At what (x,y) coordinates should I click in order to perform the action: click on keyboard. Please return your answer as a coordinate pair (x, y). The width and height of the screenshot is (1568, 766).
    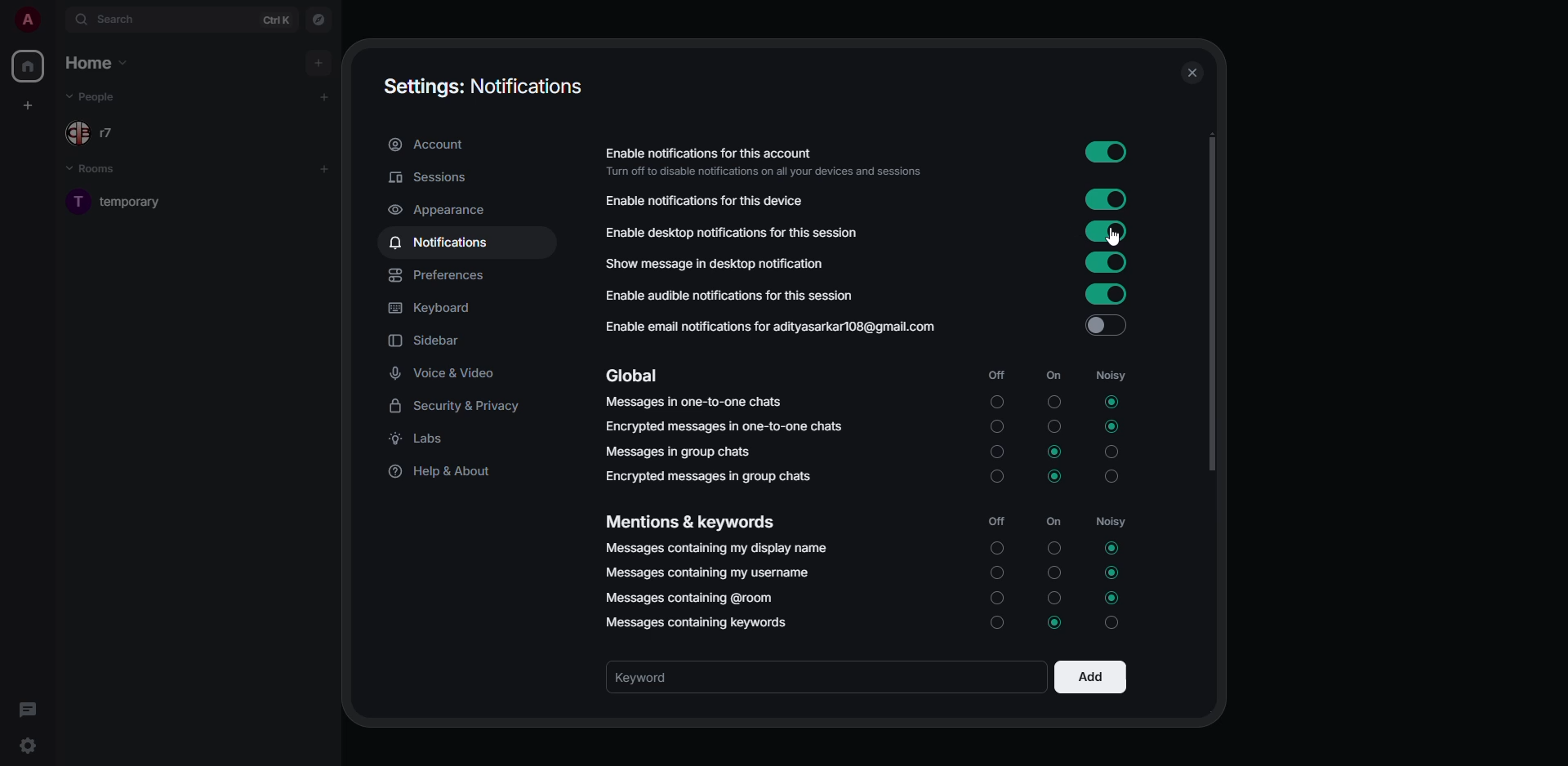
    Looking at the image, I should click on (429, 306).